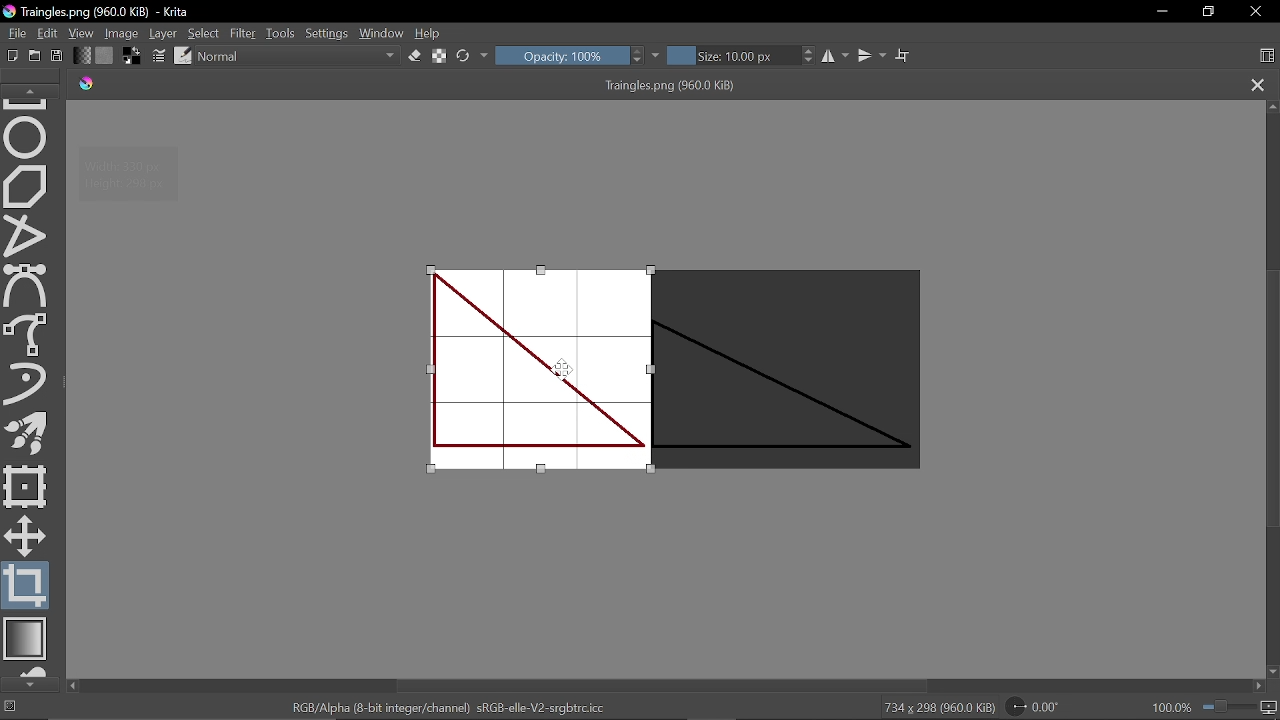  Describe the element at coordinates (72, 686) in the screenshot. I see `move left` at that location.